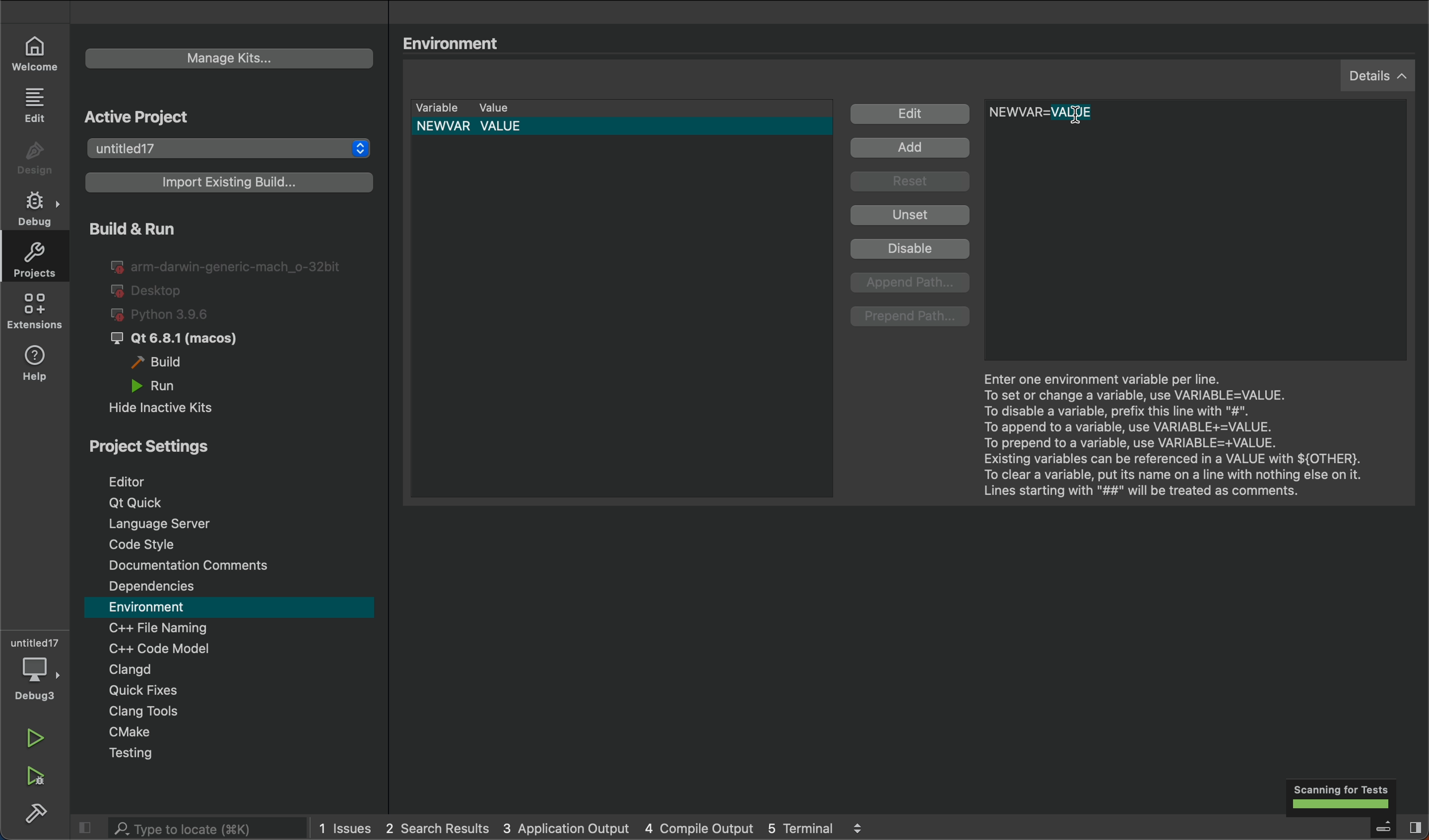  Describe the element at coordinates (1179, 429) in the screenshot. I see `Enter one environment..` at that location.